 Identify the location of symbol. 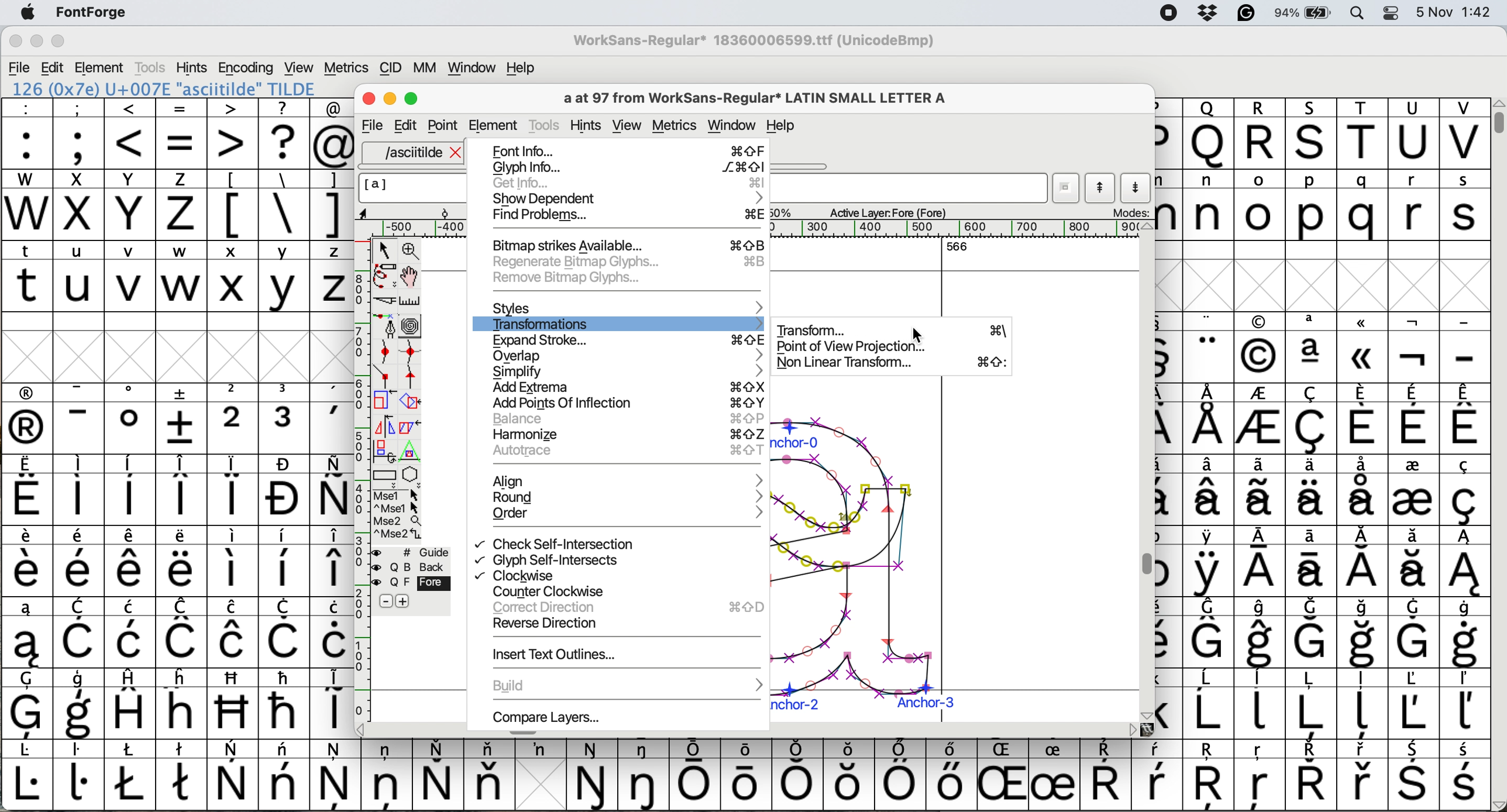
(181, 562).